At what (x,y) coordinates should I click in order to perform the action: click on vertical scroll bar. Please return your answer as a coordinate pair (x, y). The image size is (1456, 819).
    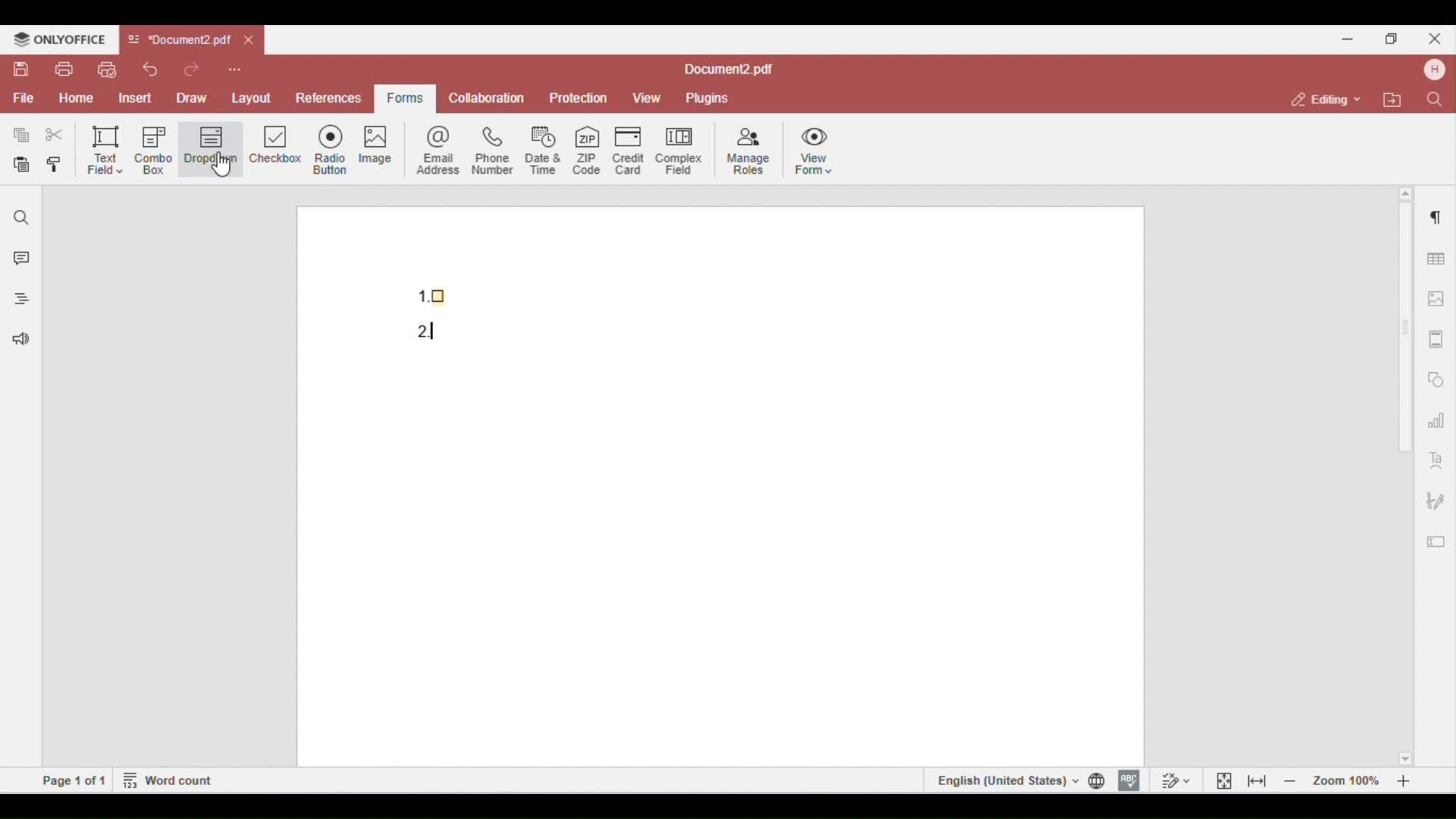
    Looking at the image, I should click on (1407, 338).